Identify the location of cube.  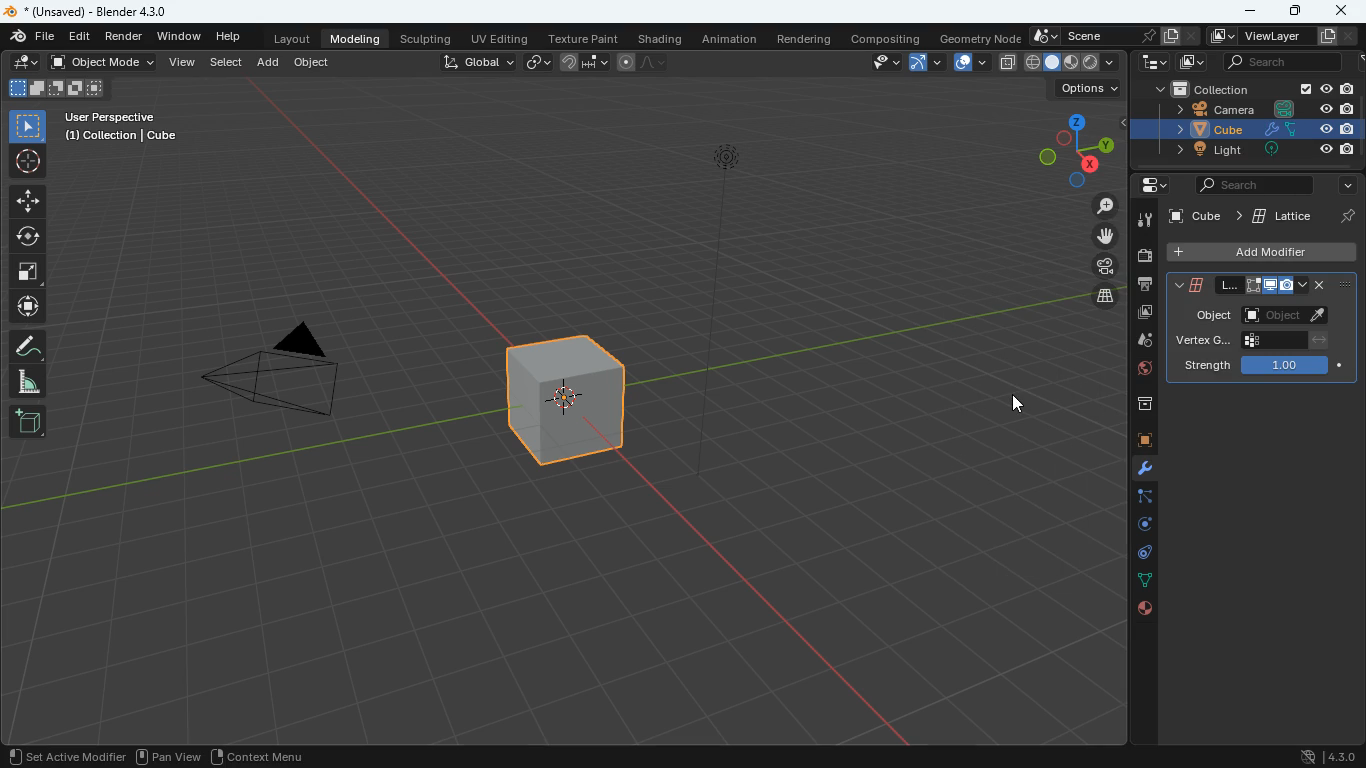
(573, 399).